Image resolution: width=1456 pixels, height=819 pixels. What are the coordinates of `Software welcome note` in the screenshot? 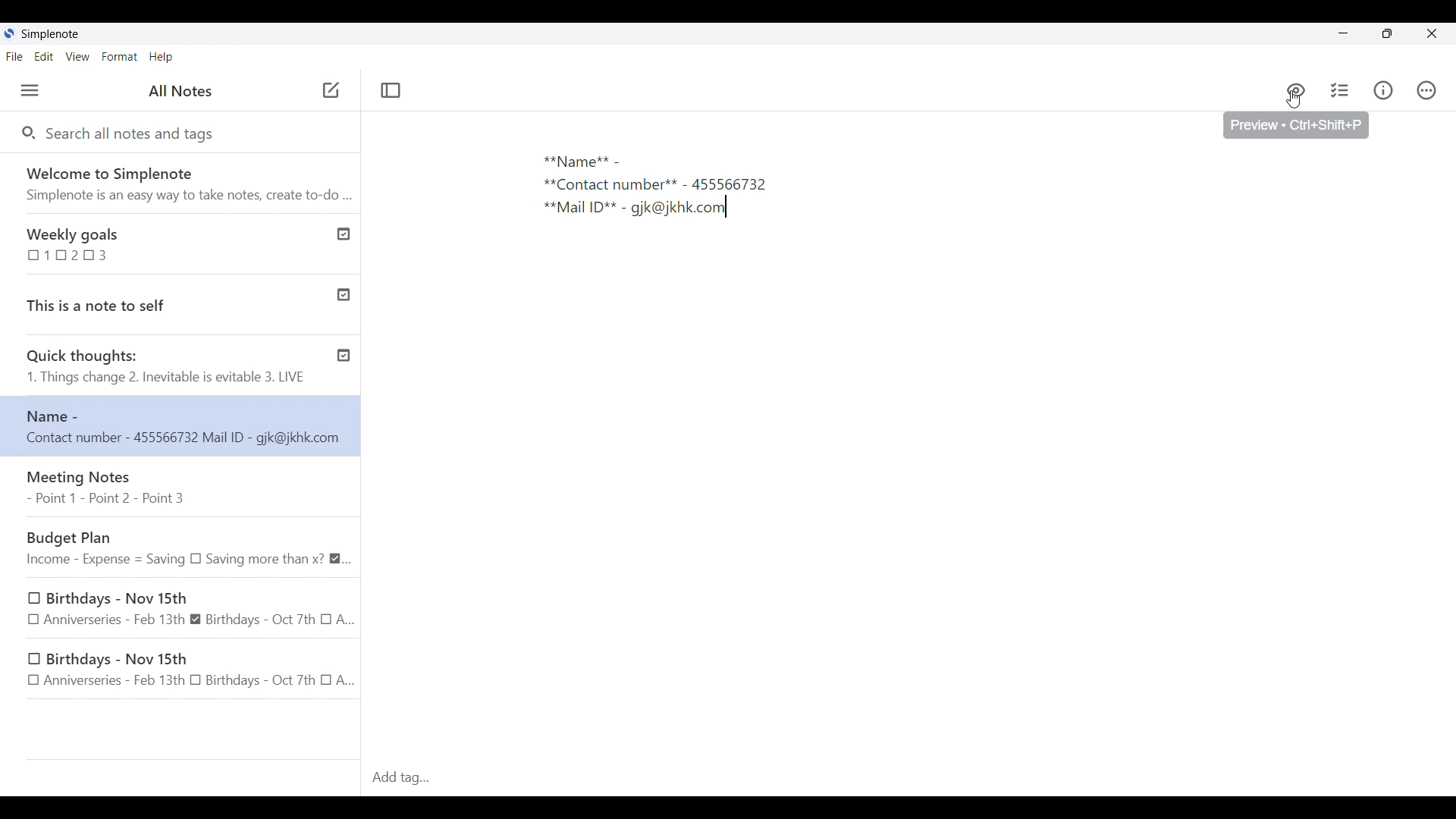 It's located at (179, 180).